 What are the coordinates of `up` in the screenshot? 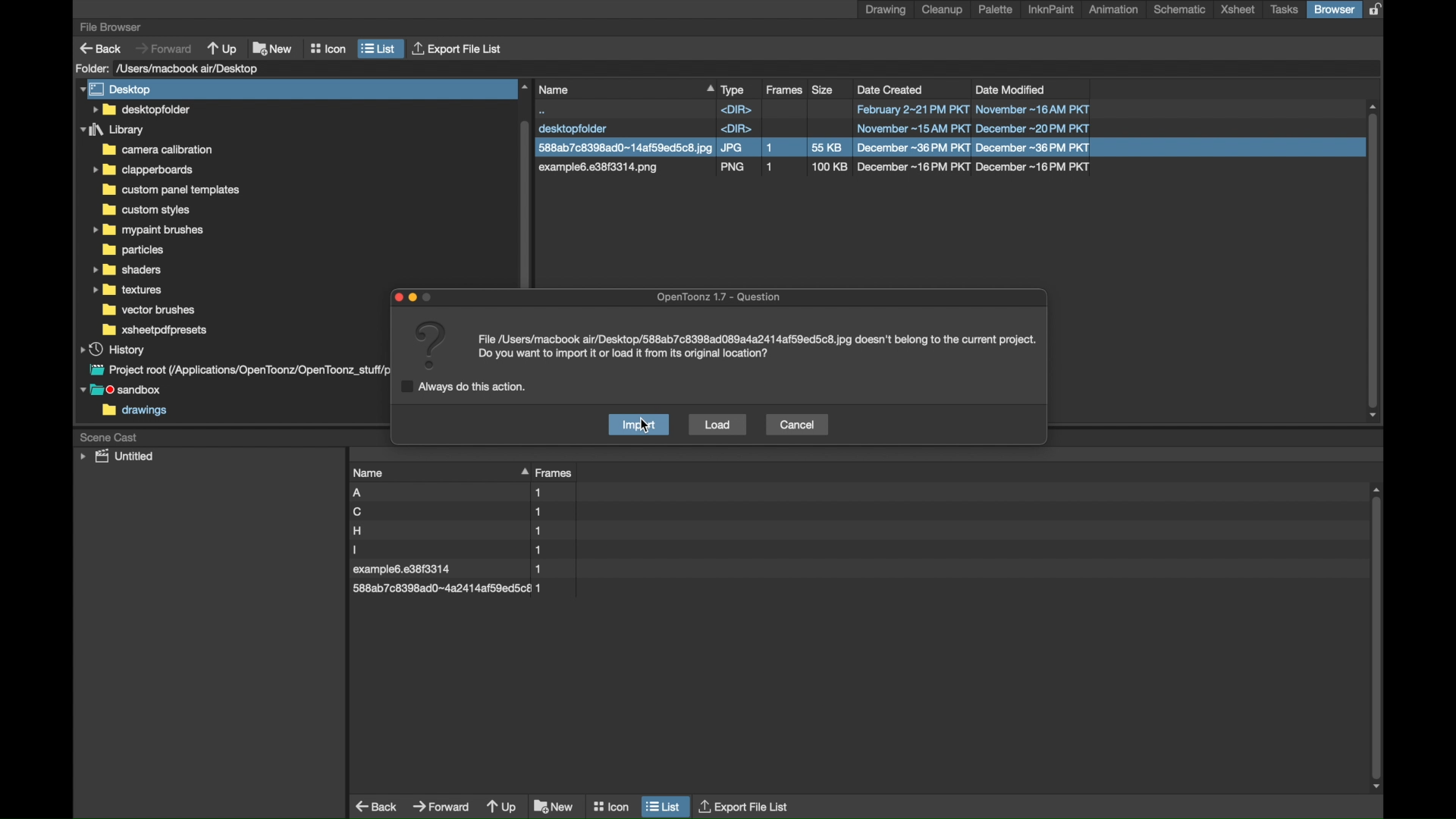 It's located at (224, 48).